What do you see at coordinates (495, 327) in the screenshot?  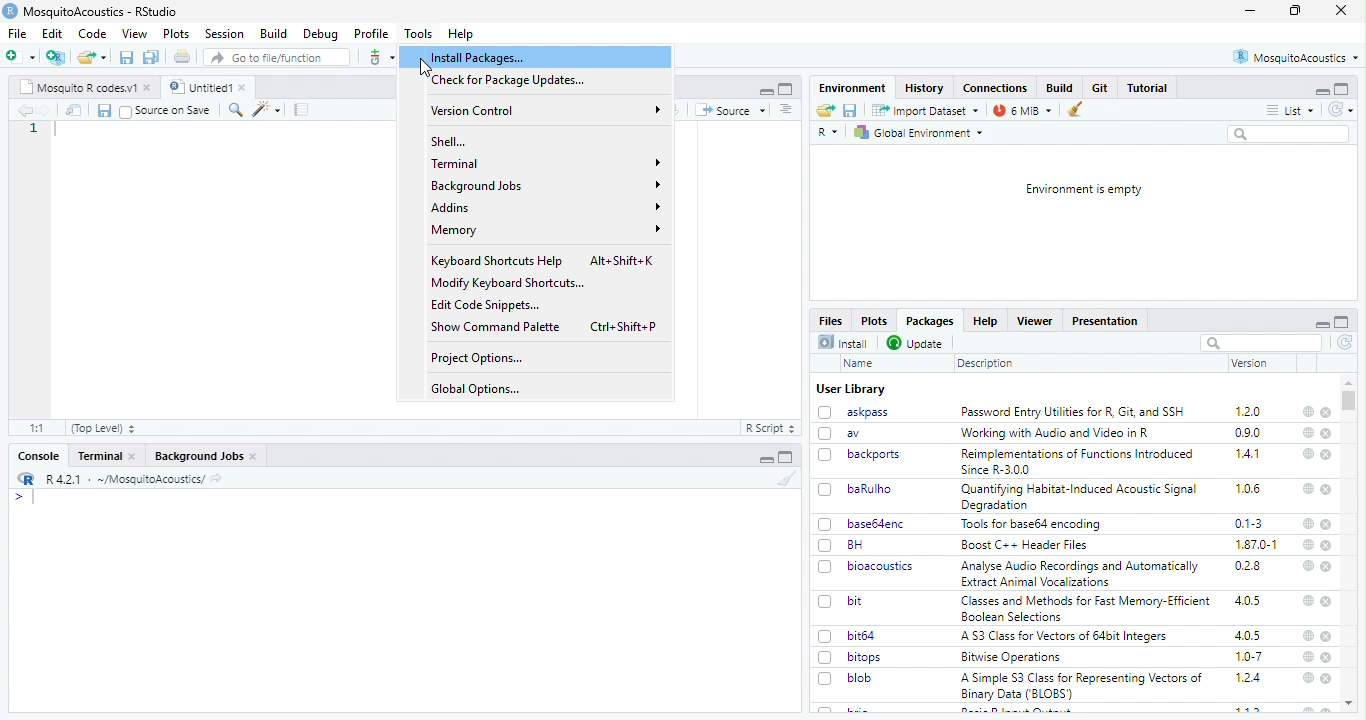 I see `‘Show Command Palette` at bounding box center [495, 327].